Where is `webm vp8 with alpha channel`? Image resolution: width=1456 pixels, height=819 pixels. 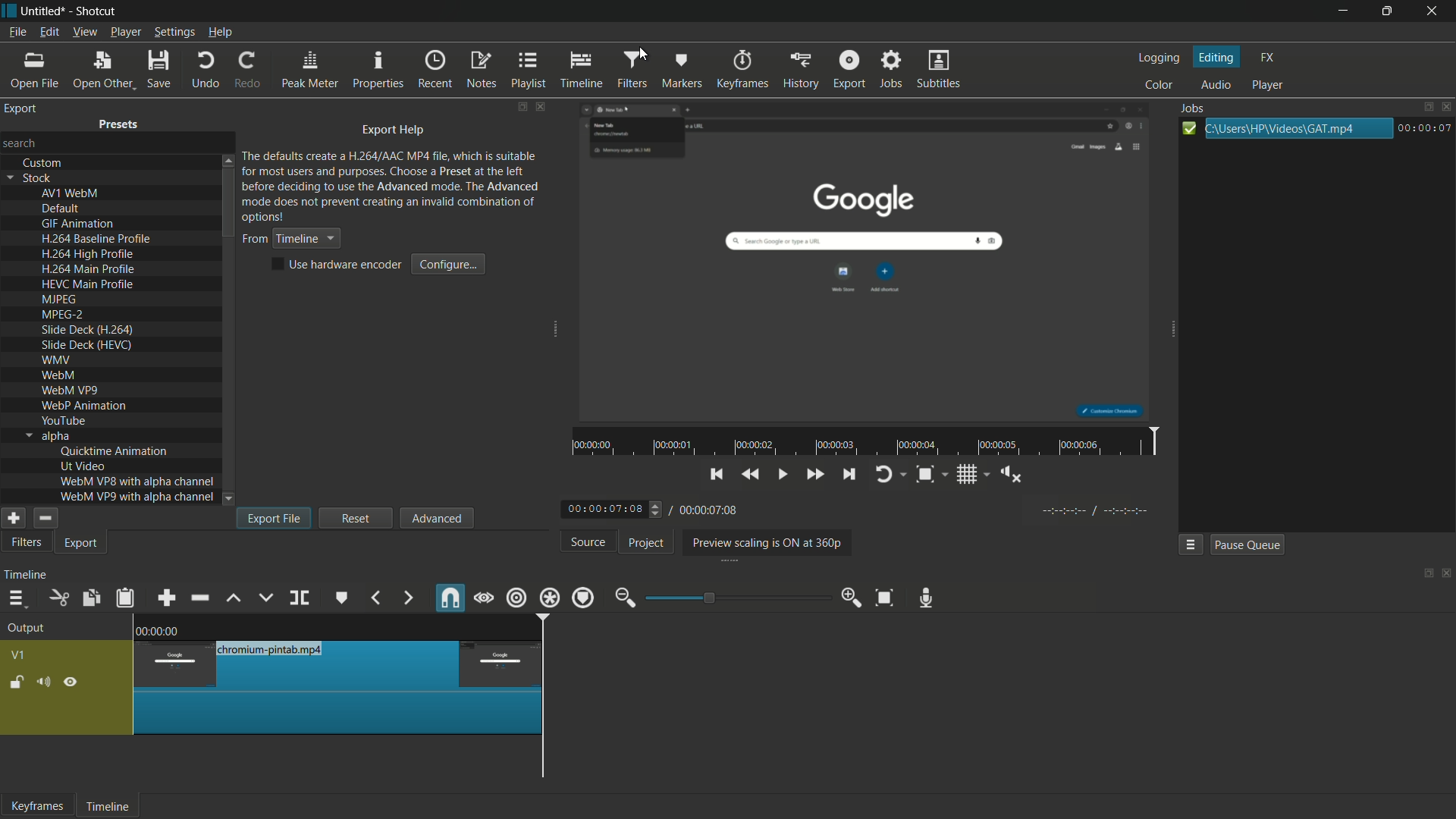 webm vp8 with alpha channel is located at coordinates (136, 482).